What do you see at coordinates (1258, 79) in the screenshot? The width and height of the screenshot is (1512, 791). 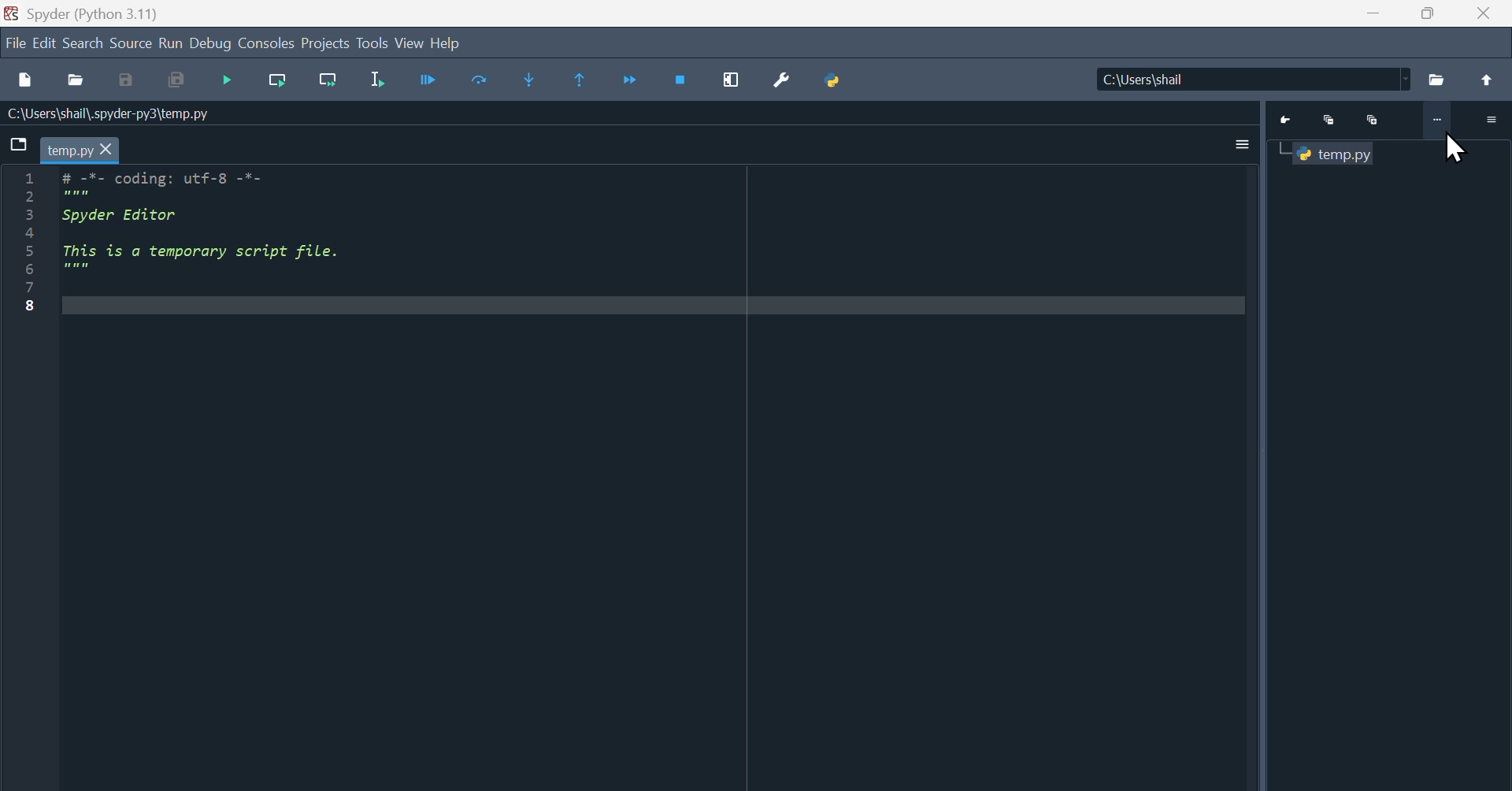 I see `Location of the file` at bounding box center [1258, 79].